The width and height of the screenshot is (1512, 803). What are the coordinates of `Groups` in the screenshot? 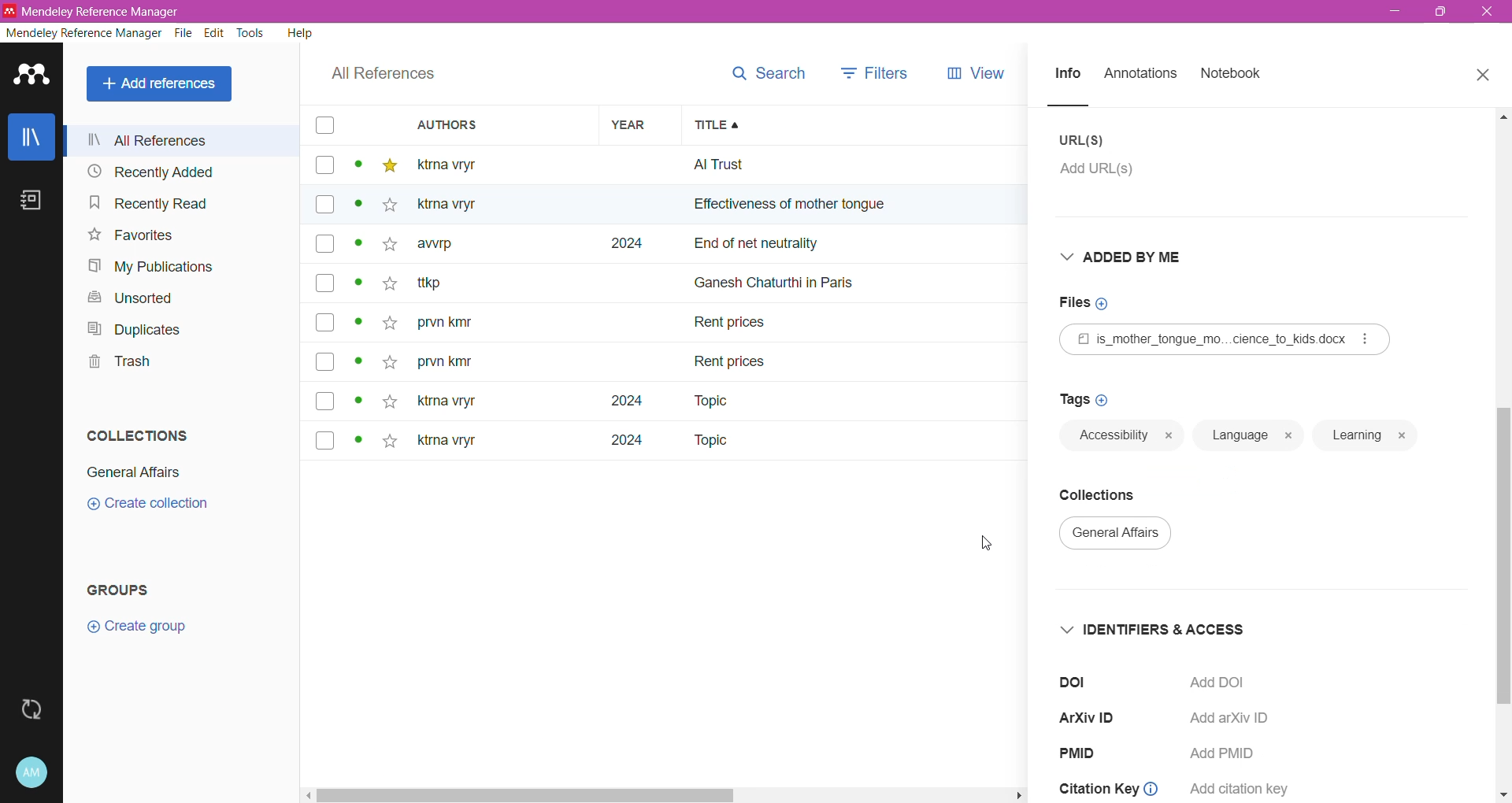 It's located at (121, 590).